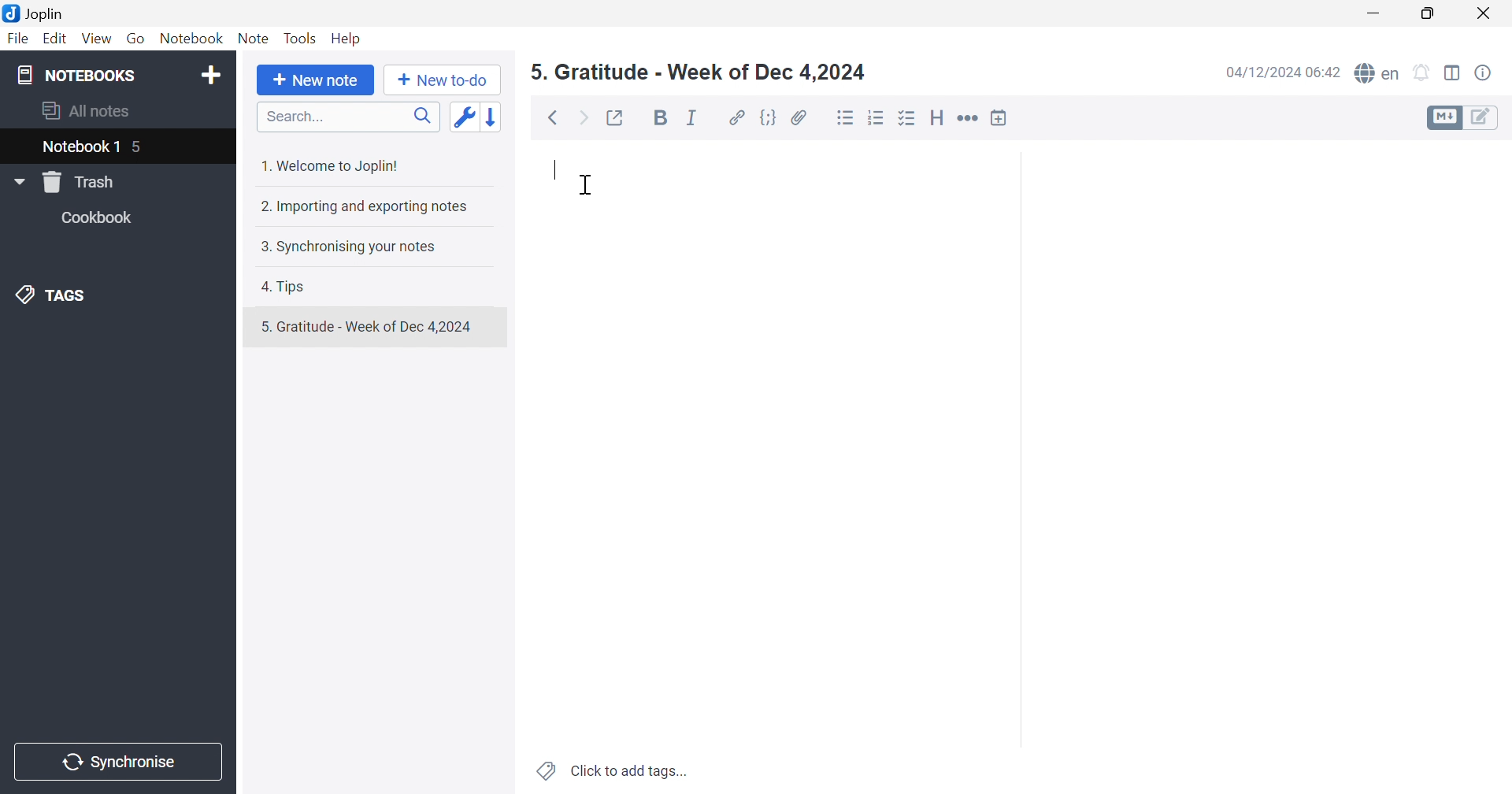  What do you see at coordinates (969, 118) in the screenshot?
I see `Horizontal rule` at bounding box center [969, 118].